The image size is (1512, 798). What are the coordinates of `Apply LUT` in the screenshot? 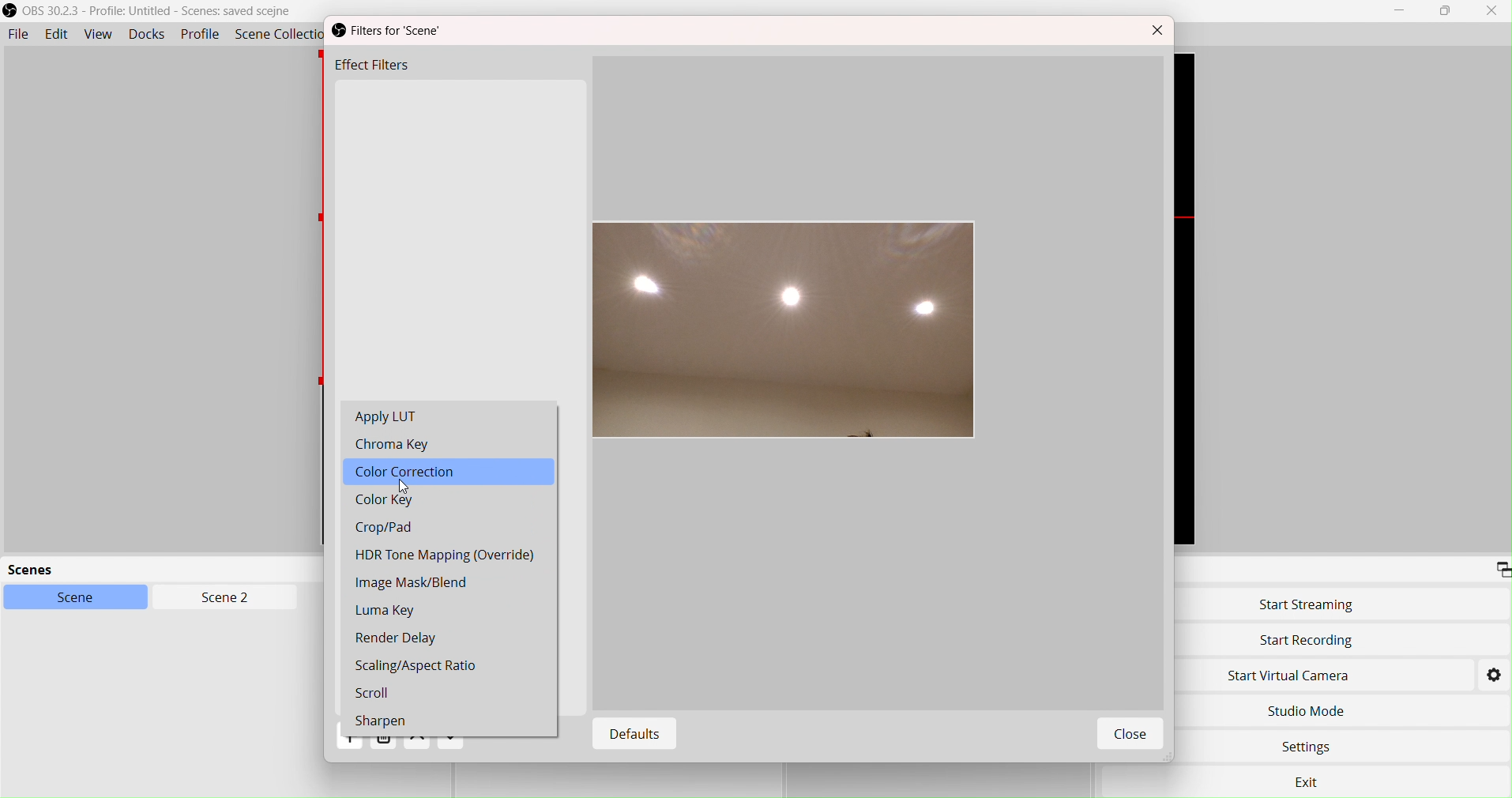 It's located at (406, 418).